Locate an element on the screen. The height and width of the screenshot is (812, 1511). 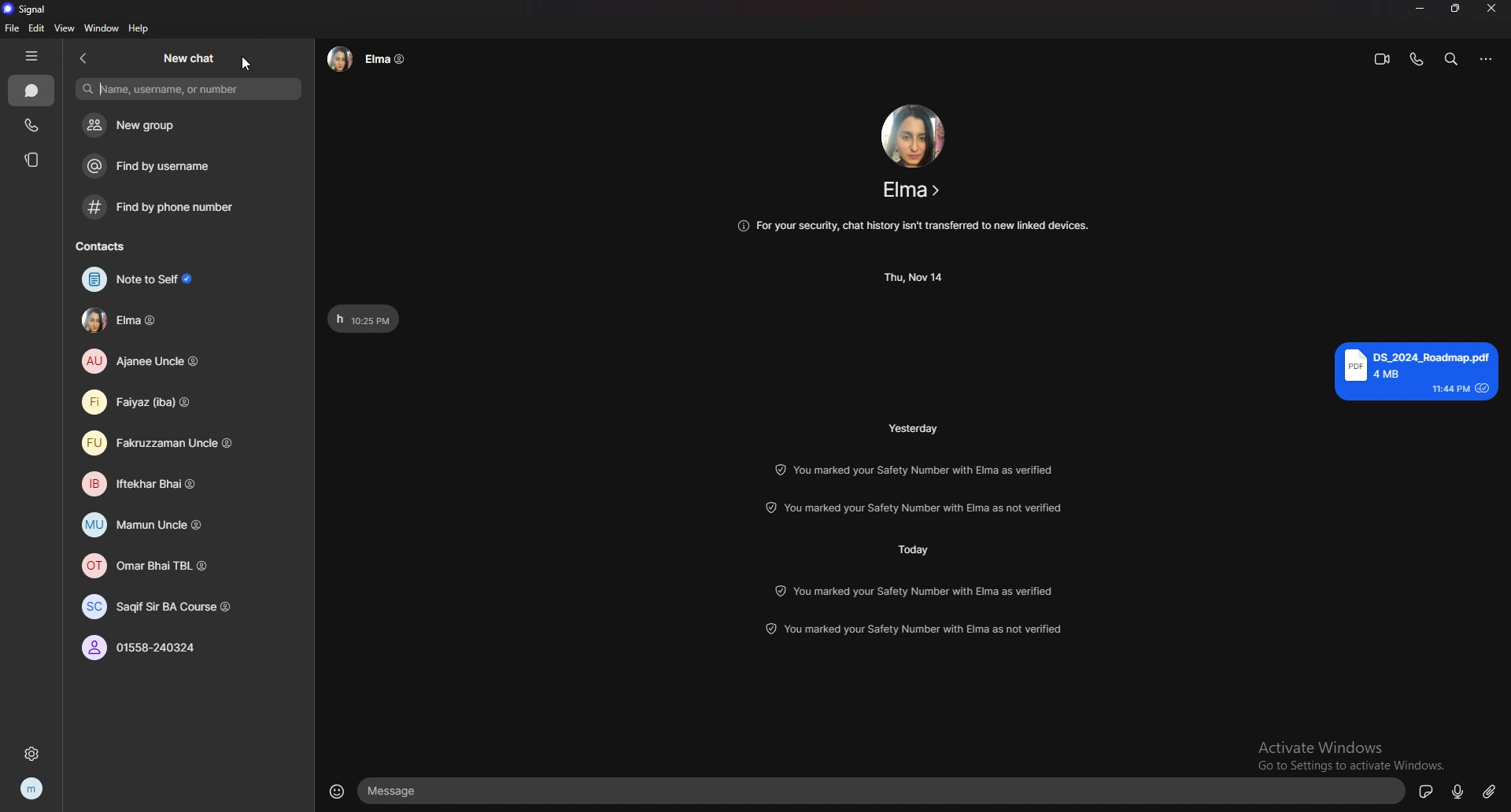
voice message is located at coordinates (1458, 790).